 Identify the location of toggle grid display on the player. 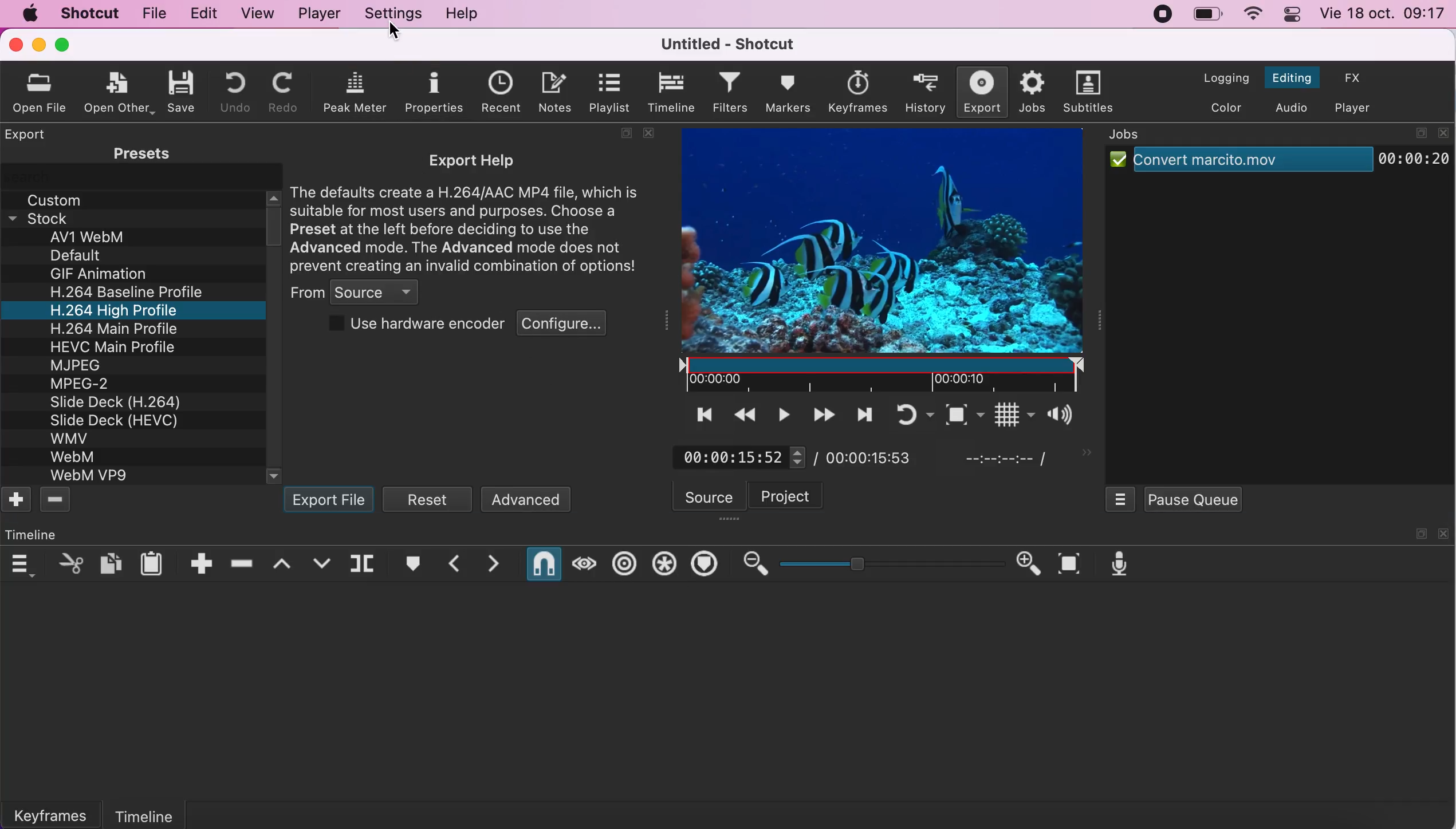
(997, 416).